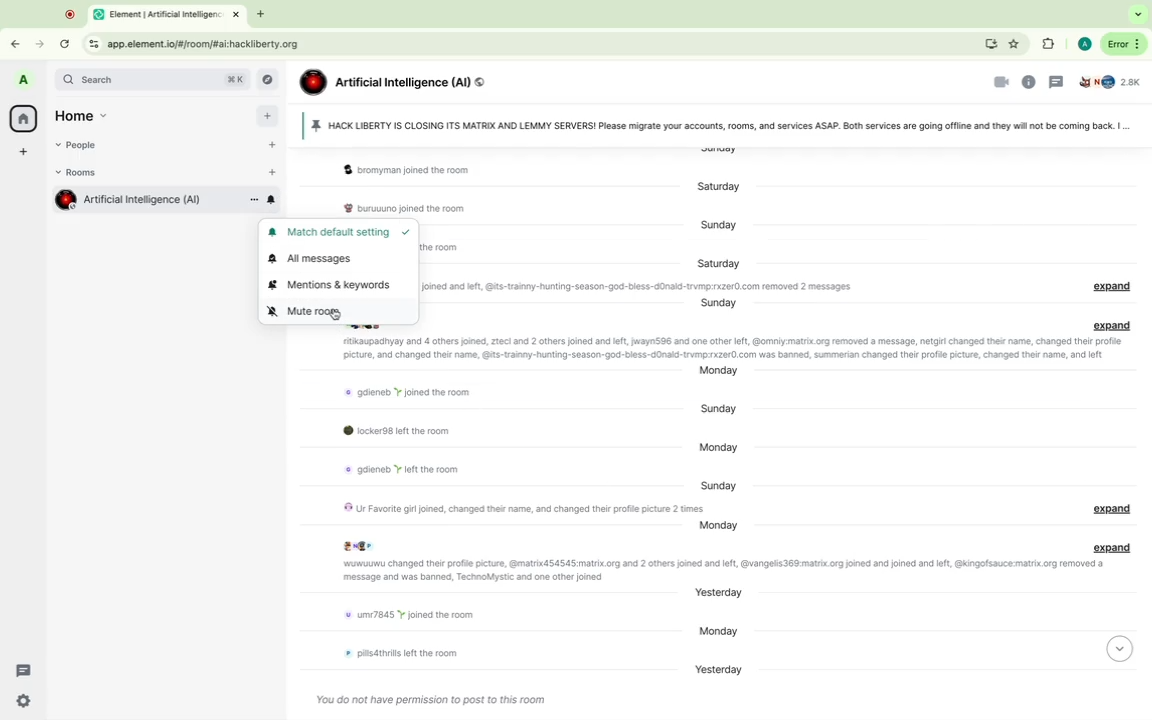 This screenshot has height=720, width=1152. What do you see at coordinates (312, 84) in the screenshot?
I see `icon` at bounding box center [312, 84].